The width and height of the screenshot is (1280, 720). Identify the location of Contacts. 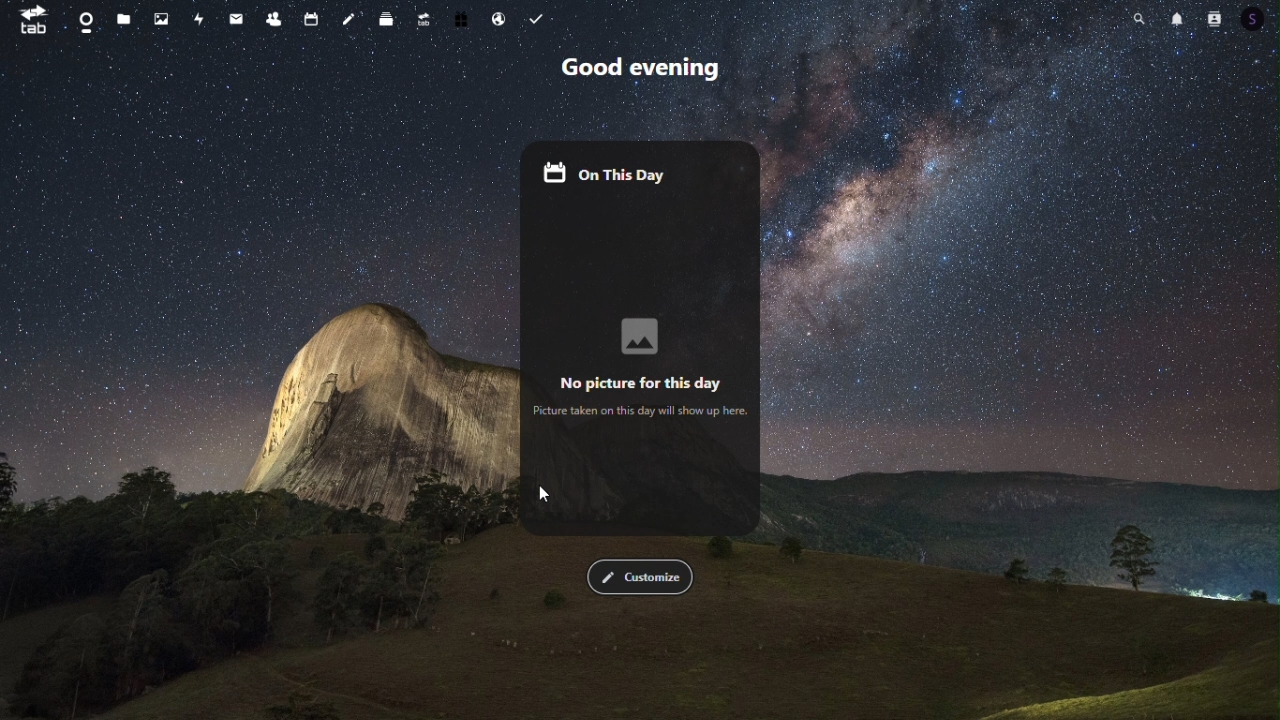
(1213, 16).